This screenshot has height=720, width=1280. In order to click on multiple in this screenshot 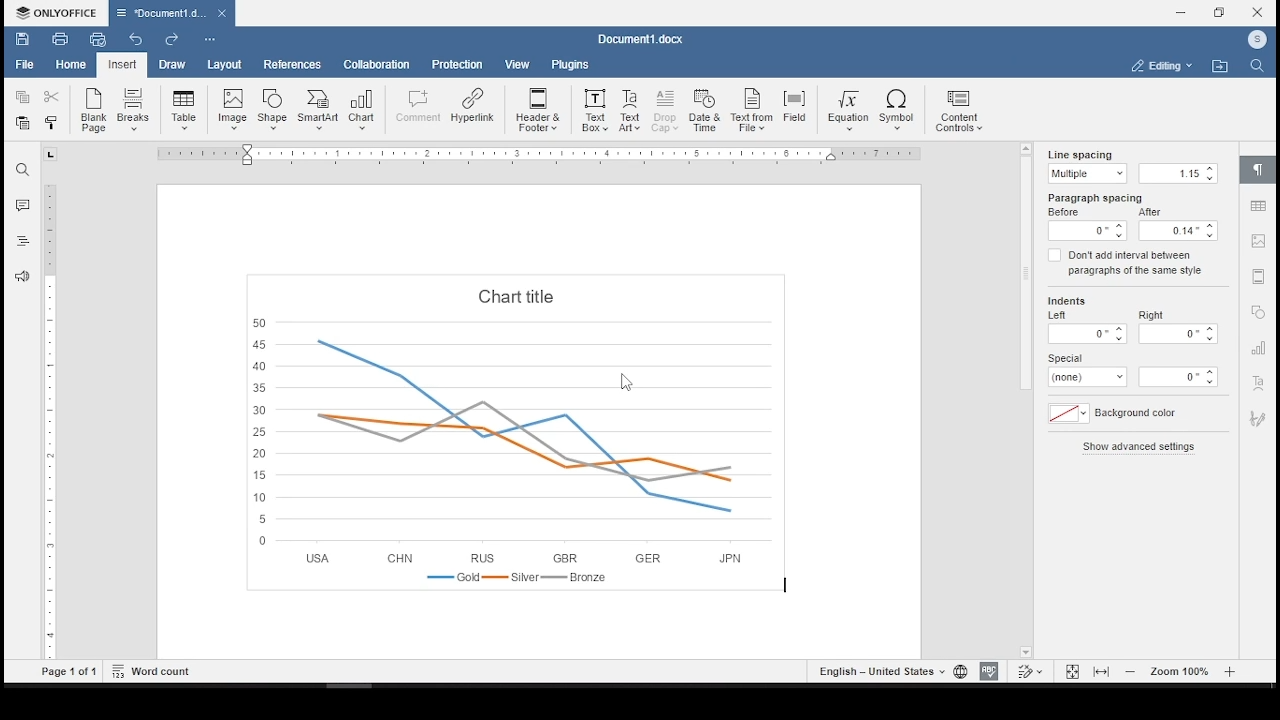, I will do `click(1084, 175)`.